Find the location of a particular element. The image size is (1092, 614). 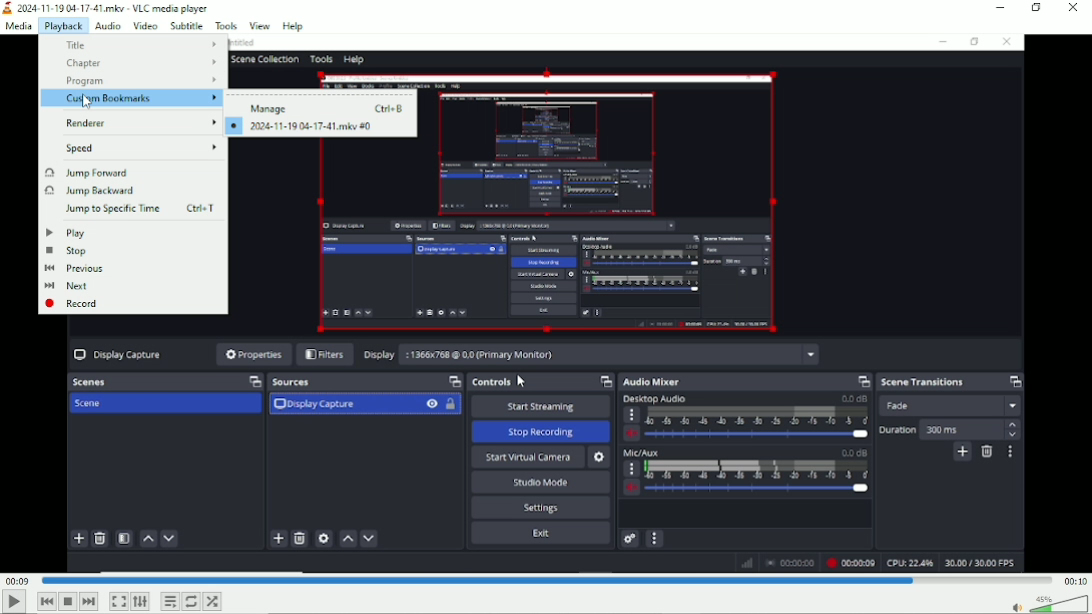

renderer is located at coordinates (134, 123).